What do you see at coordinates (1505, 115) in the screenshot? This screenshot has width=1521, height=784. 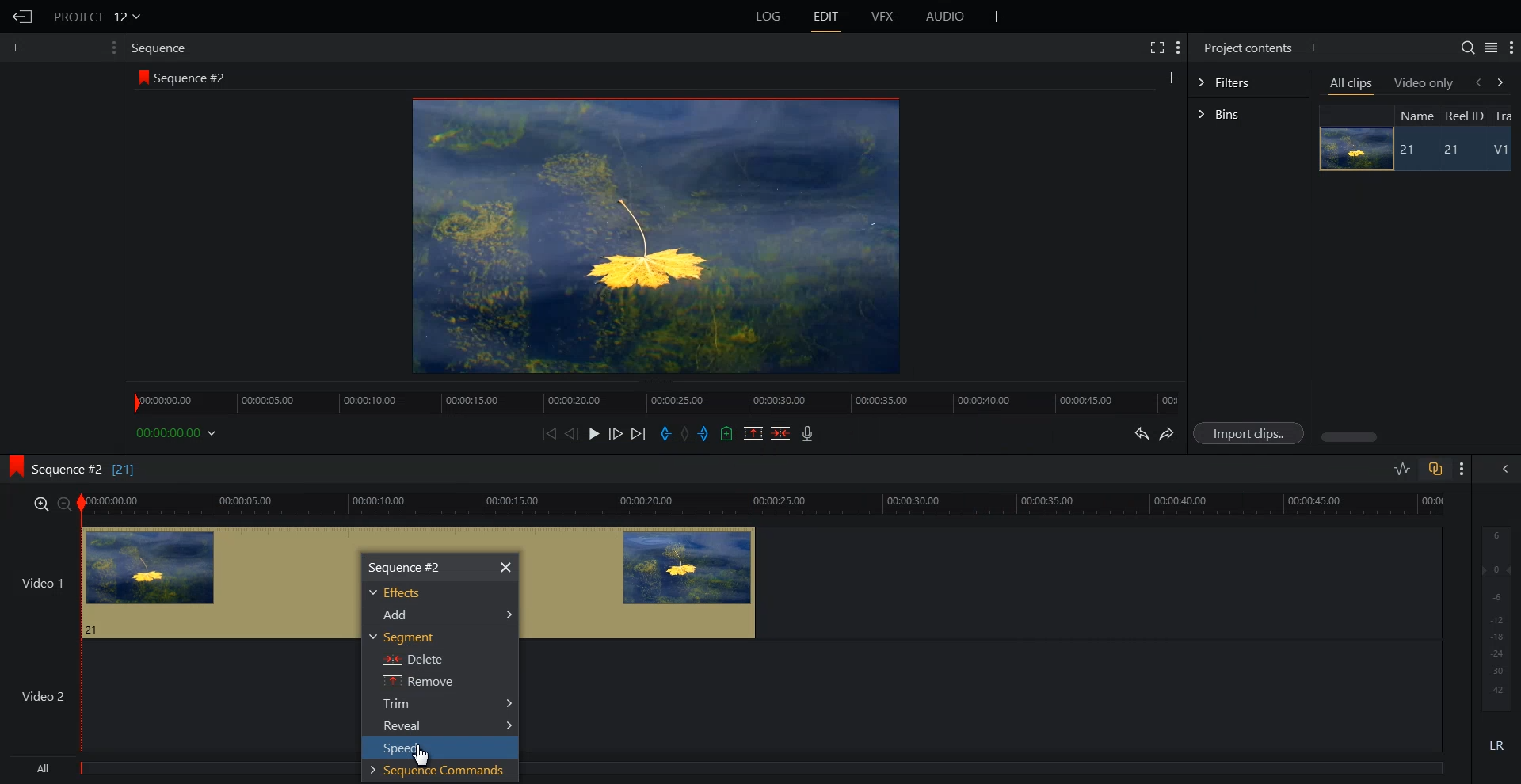 I see `Tra` at bounding box center [1505, 115].